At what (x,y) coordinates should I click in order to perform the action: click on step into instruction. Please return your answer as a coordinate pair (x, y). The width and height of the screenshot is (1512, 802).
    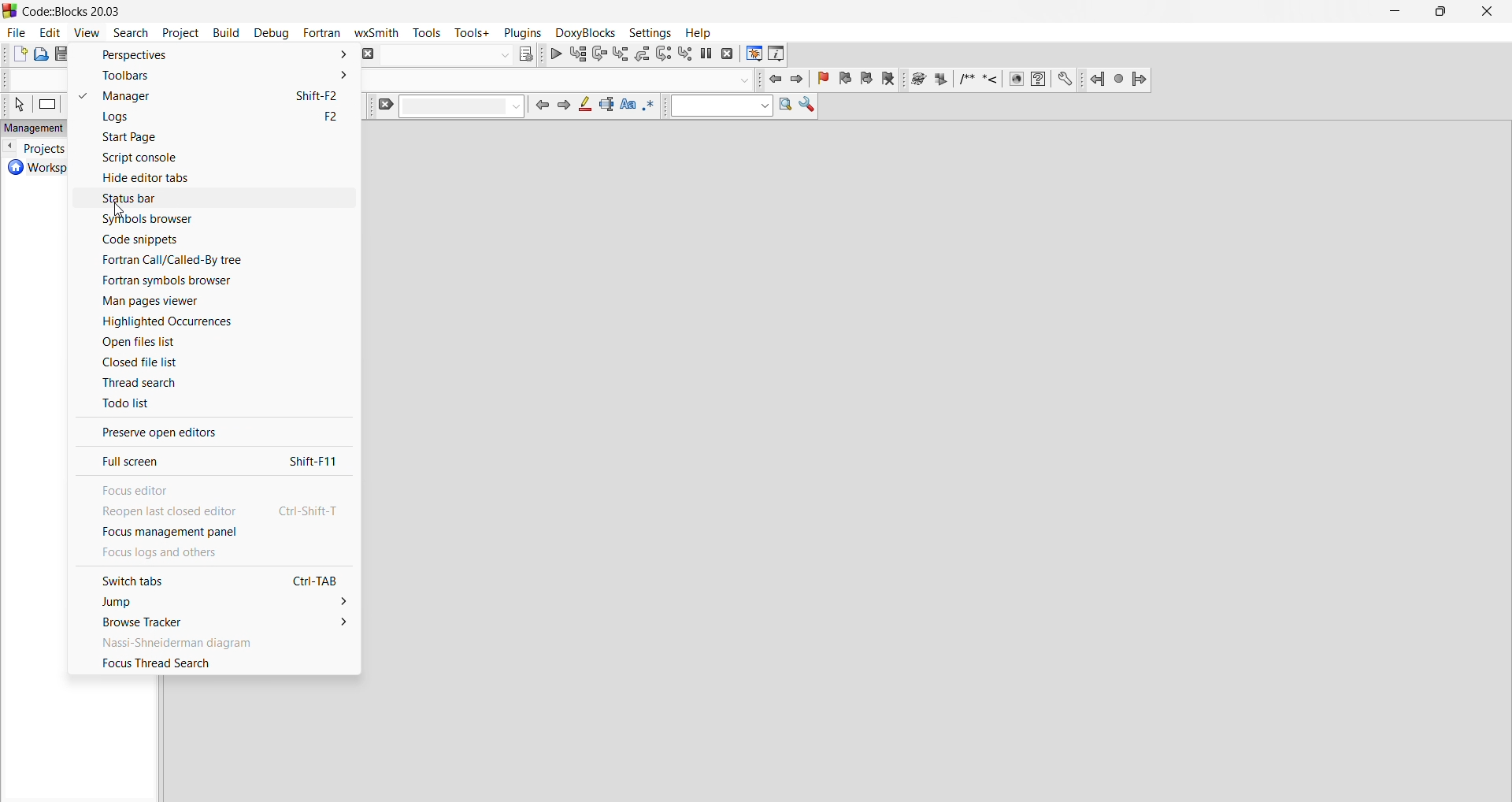
    Looking at the image, I should click on (687, 54).